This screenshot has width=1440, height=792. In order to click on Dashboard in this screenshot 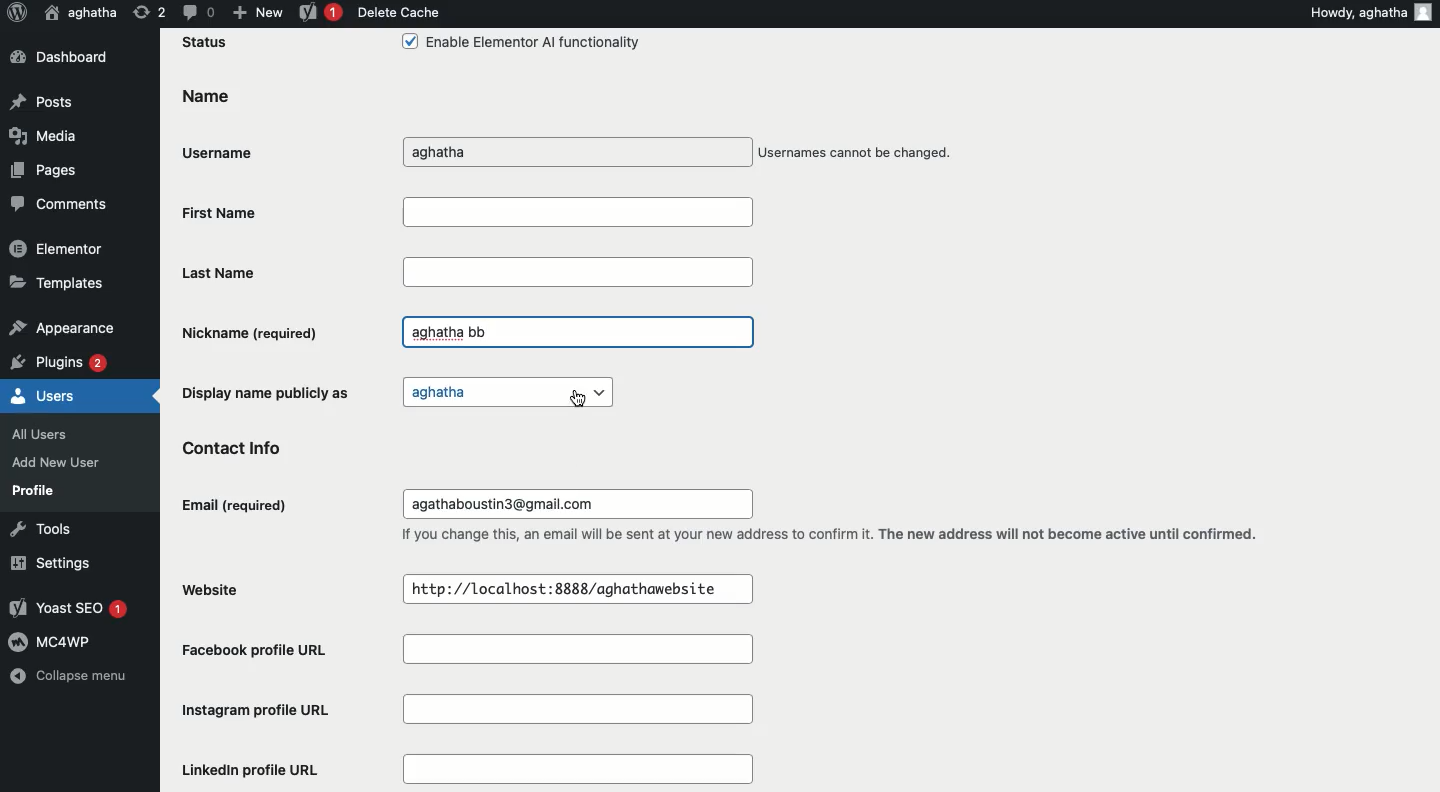, I will do `click(68, 58)`.